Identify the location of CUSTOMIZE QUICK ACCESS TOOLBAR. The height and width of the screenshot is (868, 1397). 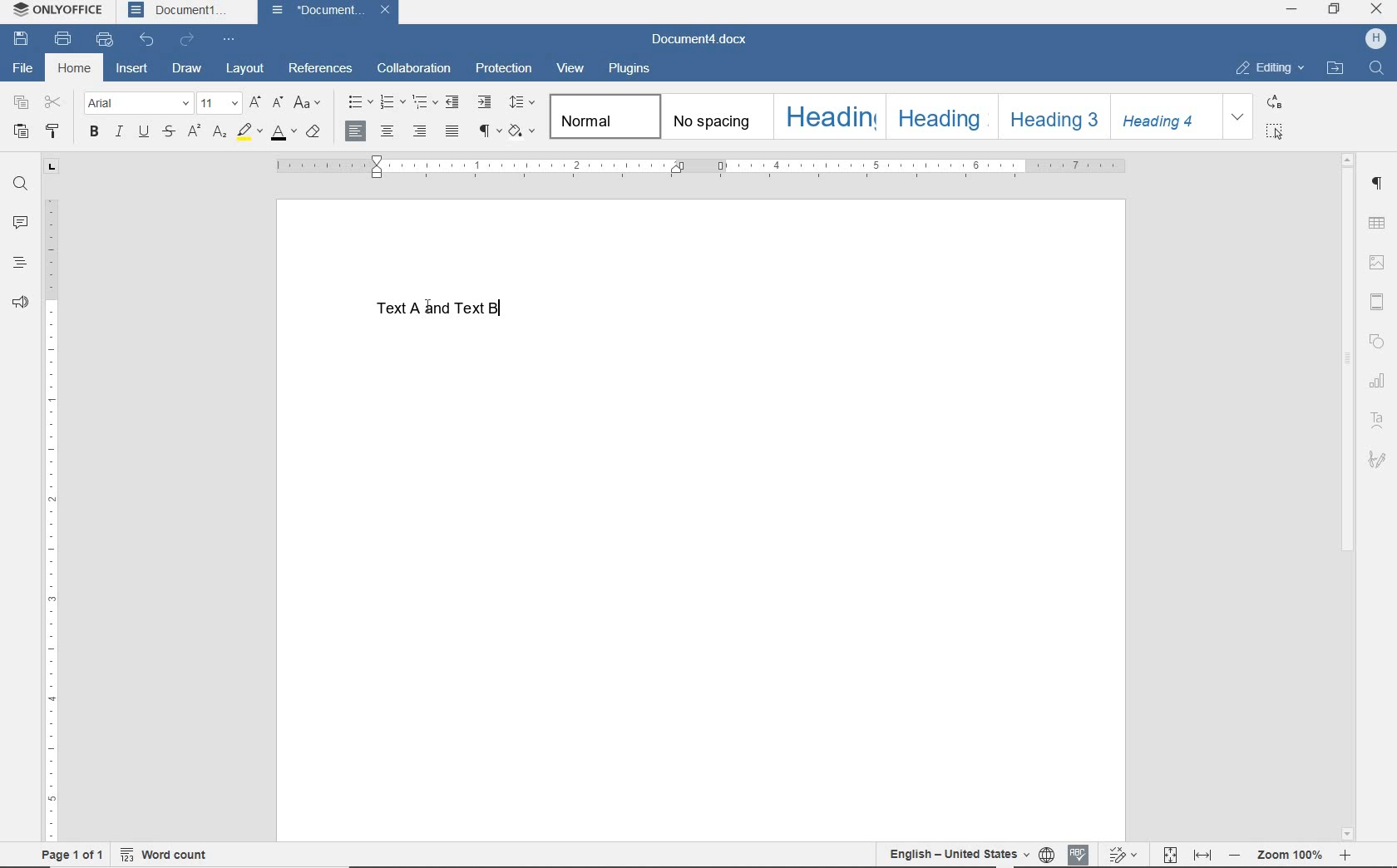
(231, 37).